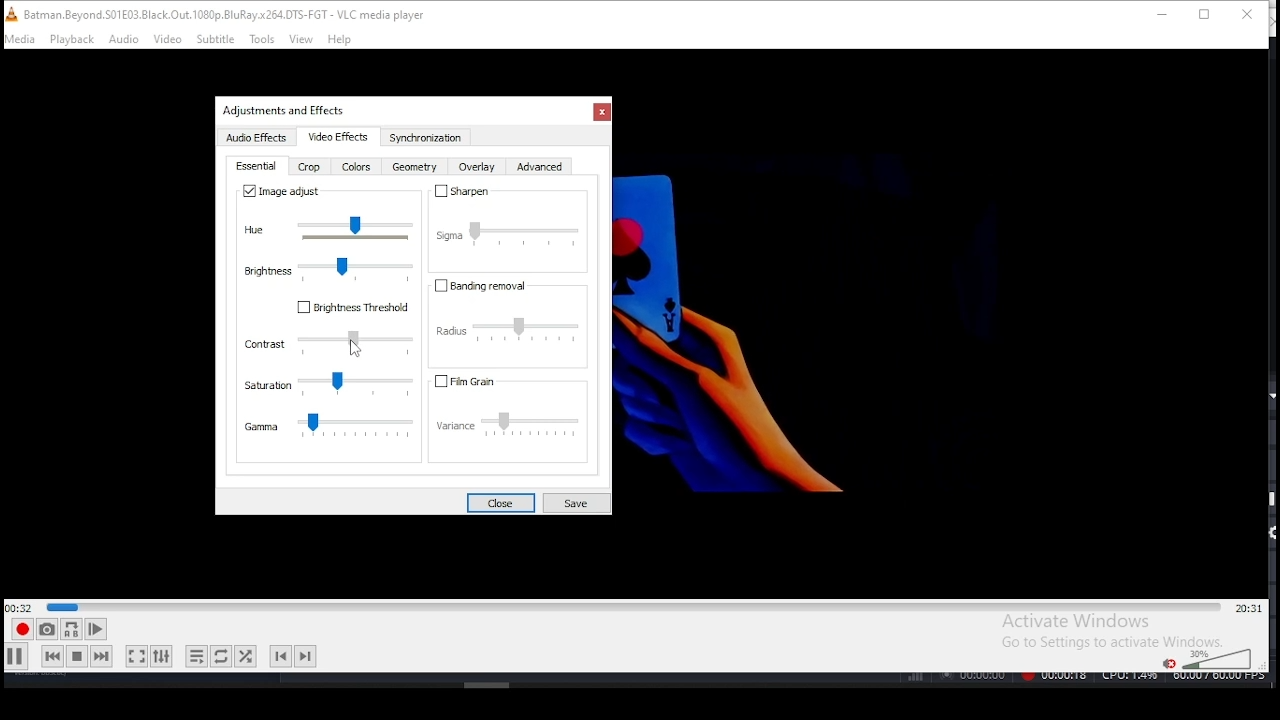  Describe the element at coordinates (163, 657) in the screenshot. I see `show extended settings` at that location.